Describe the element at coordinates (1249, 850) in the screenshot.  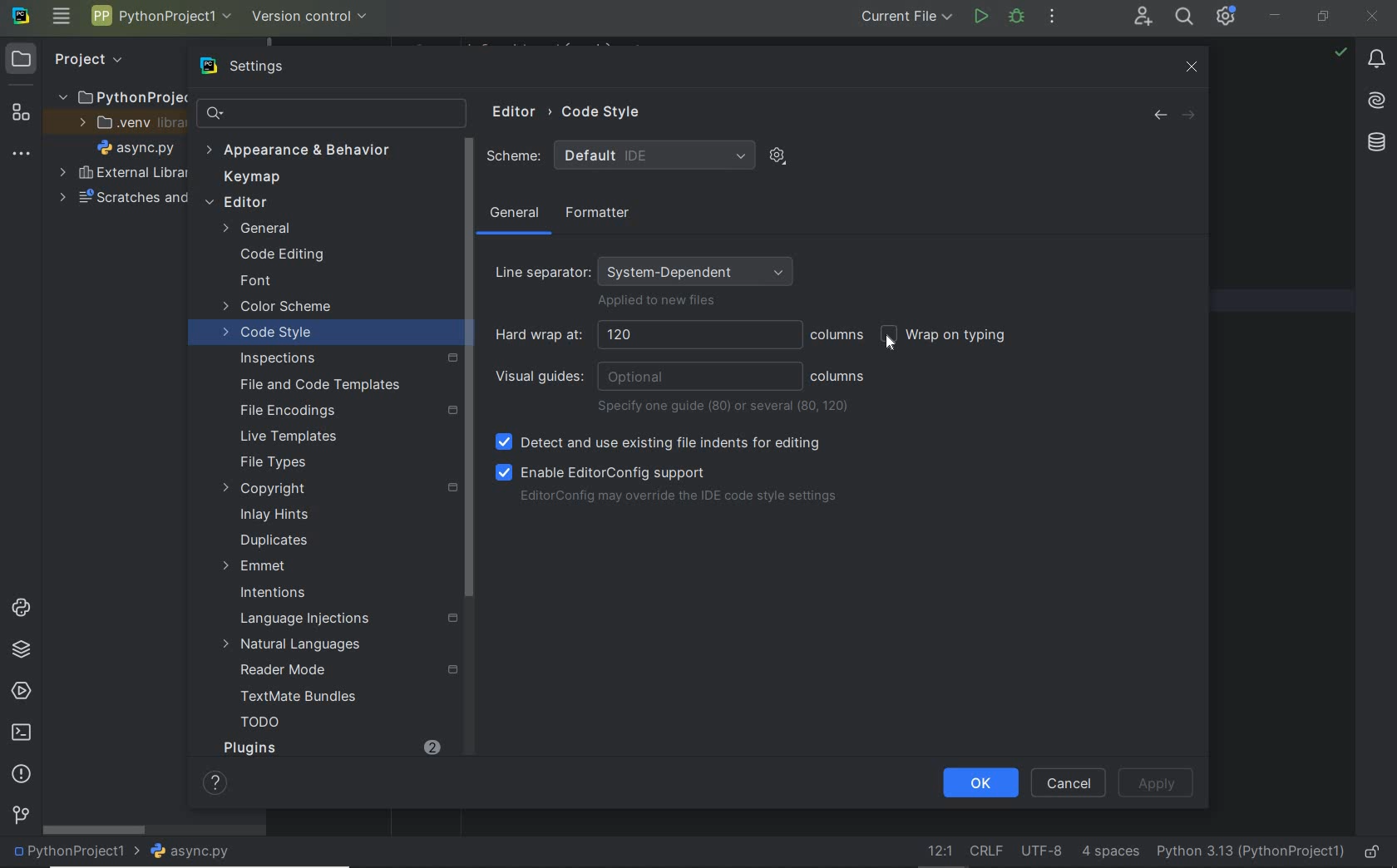
I see `current interpreter` at that location.